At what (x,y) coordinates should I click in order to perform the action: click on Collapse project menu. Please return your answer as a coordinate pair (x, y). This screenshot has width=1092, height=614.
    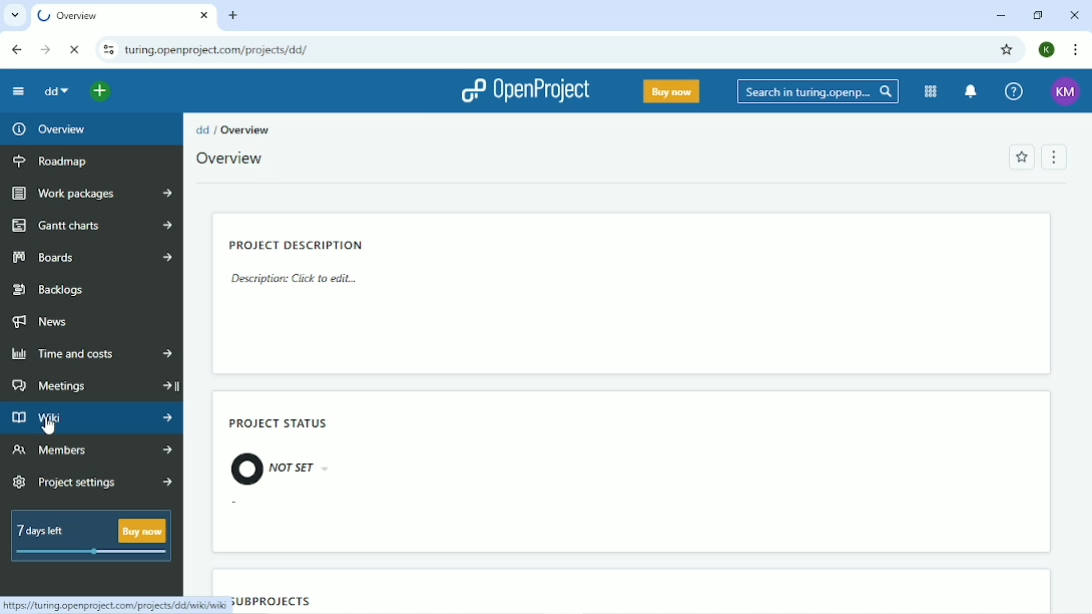
    Looking at the image, I should click on (17, 93).